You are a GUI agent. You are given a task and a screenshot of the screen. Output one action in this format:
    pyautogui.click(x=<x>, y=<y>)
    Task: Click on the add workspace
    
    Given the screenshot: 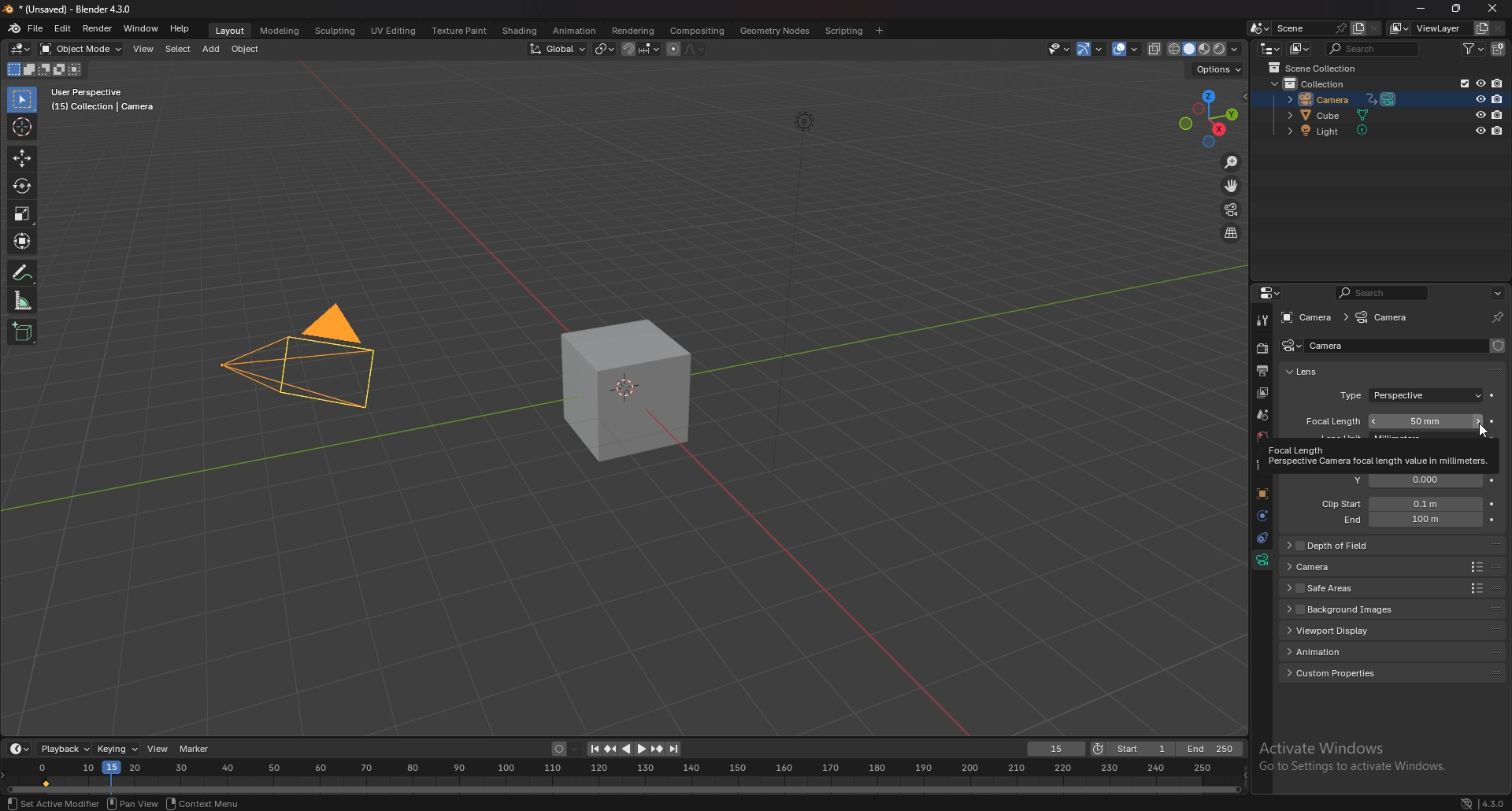 What is the action you would take?
    pyautogui.click(x=880, y=29)
    